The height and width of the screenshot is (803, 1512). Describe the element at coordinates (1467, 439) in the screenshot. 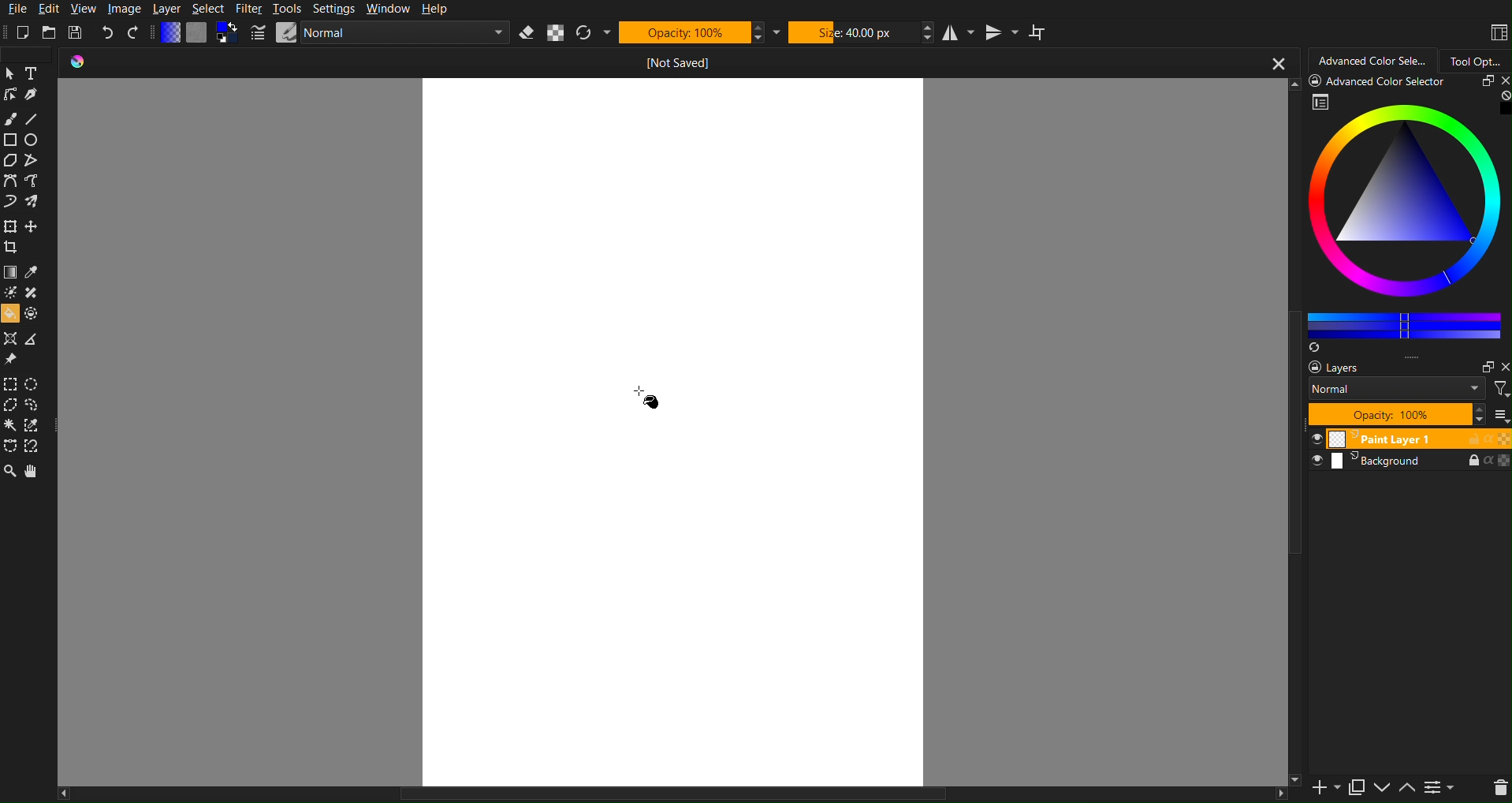

I see `lock` at that location.